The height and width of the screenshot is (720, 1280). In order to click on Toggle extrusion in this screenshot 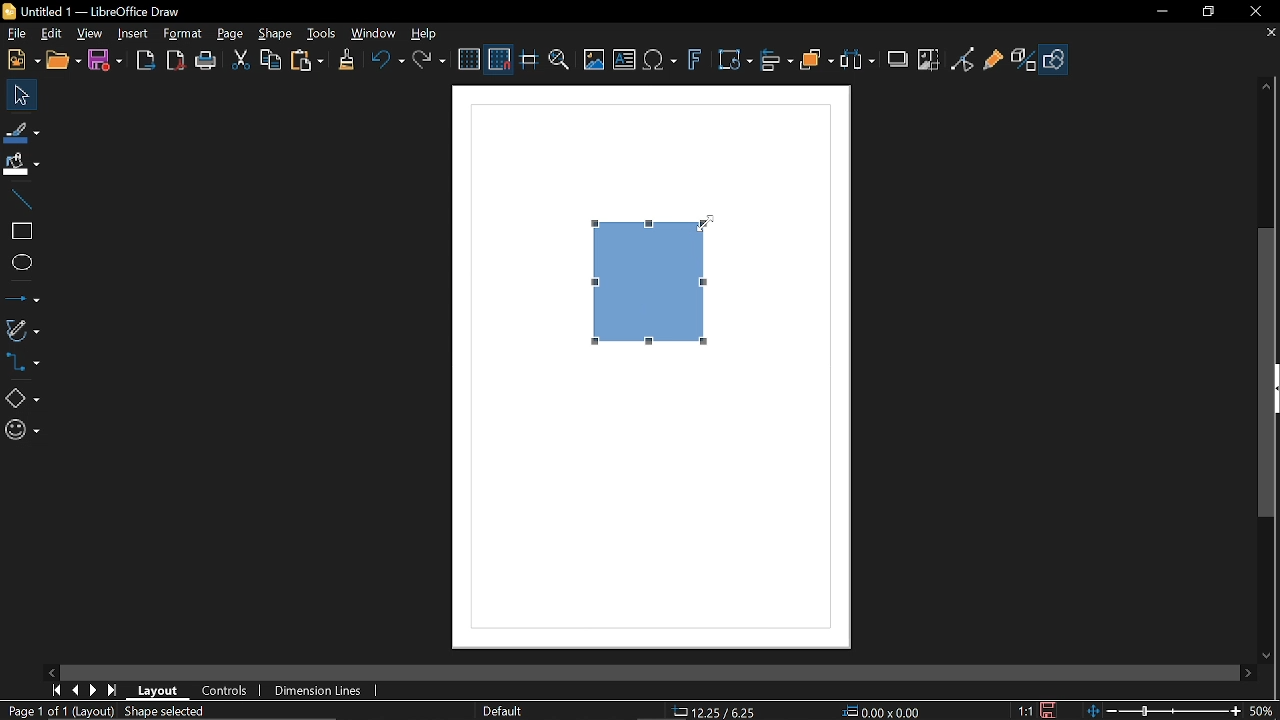, I will do `click(1023, 62)`.